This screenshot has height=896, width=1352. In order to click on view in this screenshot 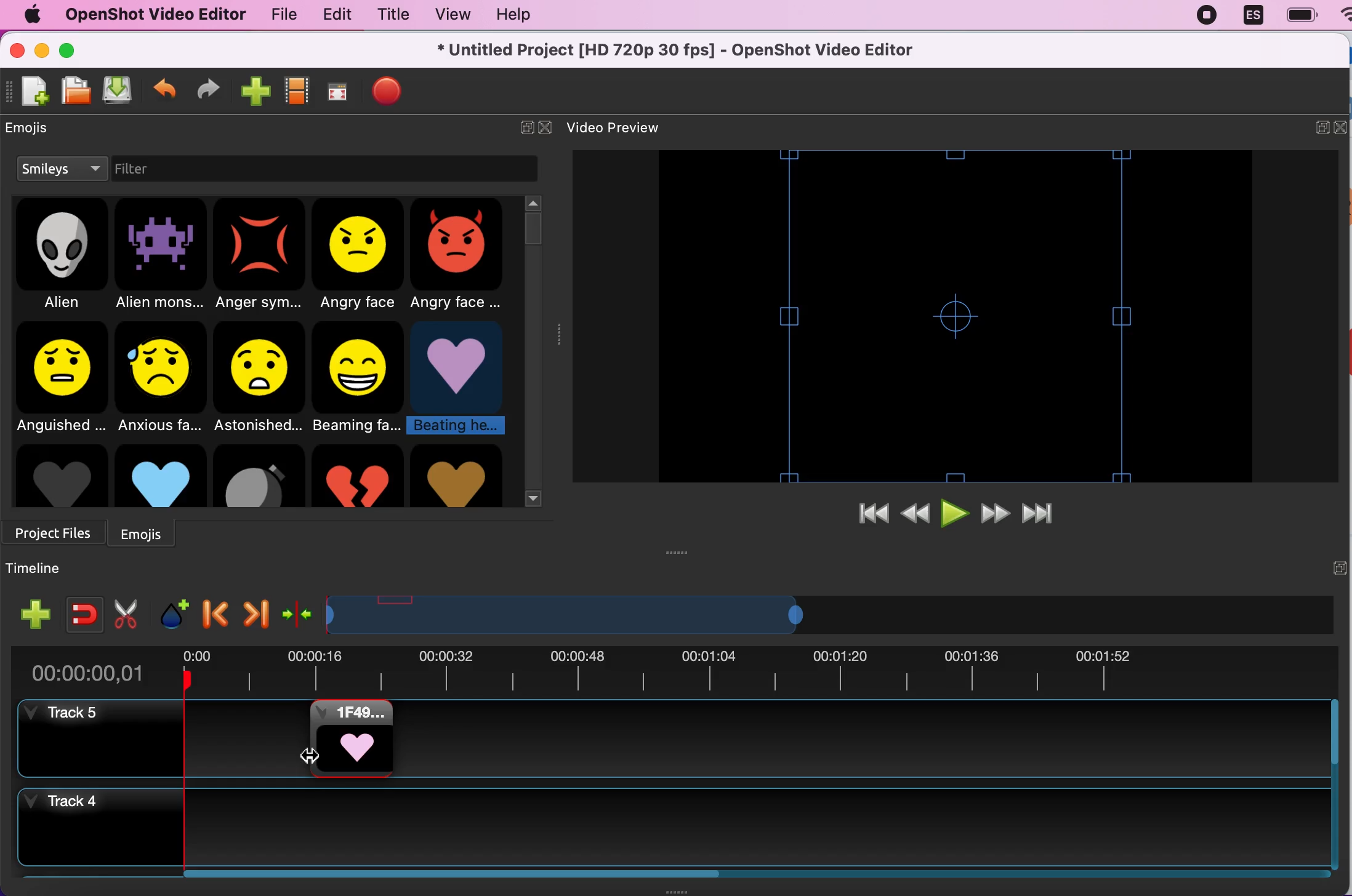, I will do `click(446, 15)`.